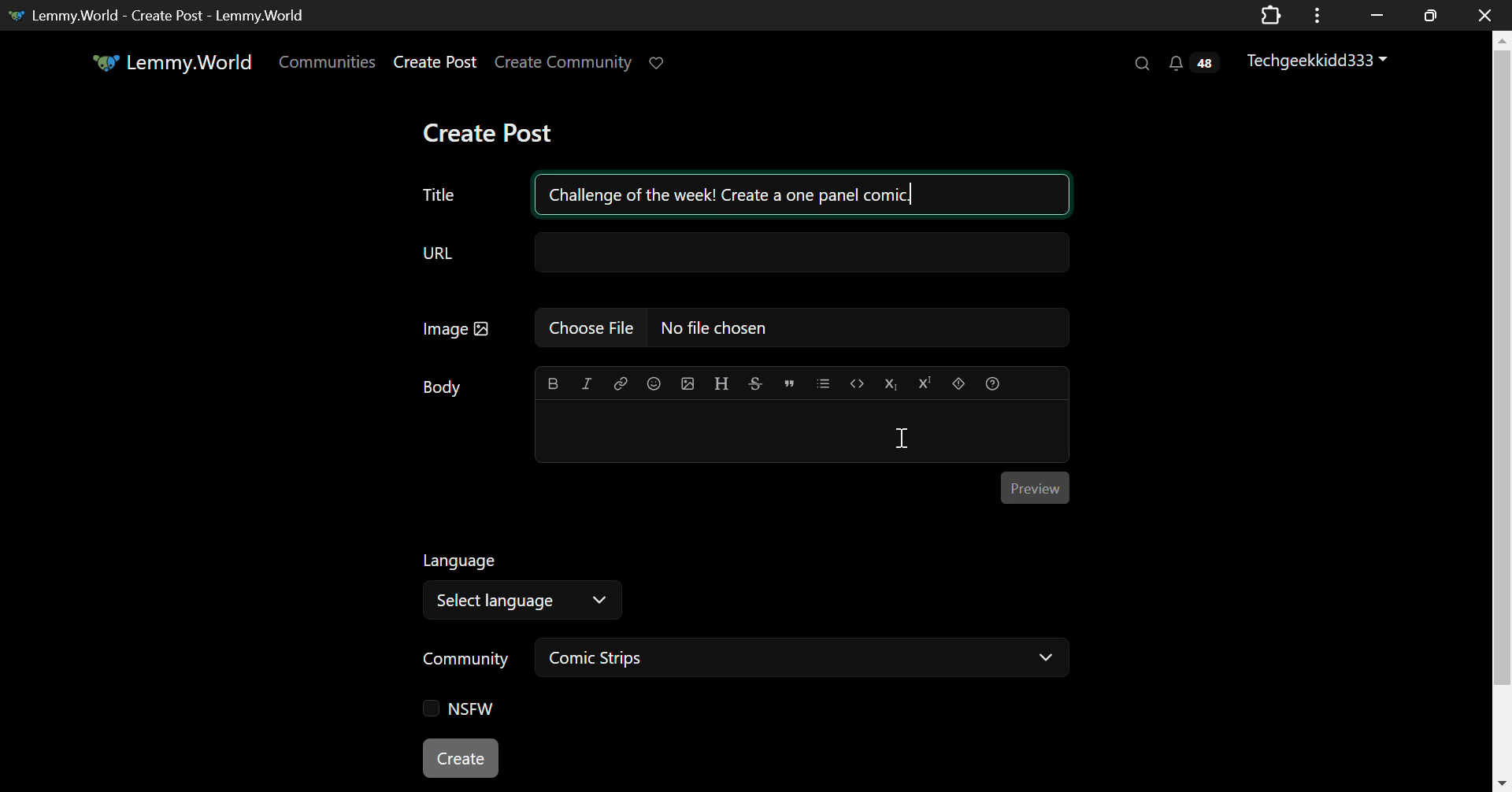 The image size is (1512, 792). I want to click on Post Body Editing Textbox, so click(798, 433).